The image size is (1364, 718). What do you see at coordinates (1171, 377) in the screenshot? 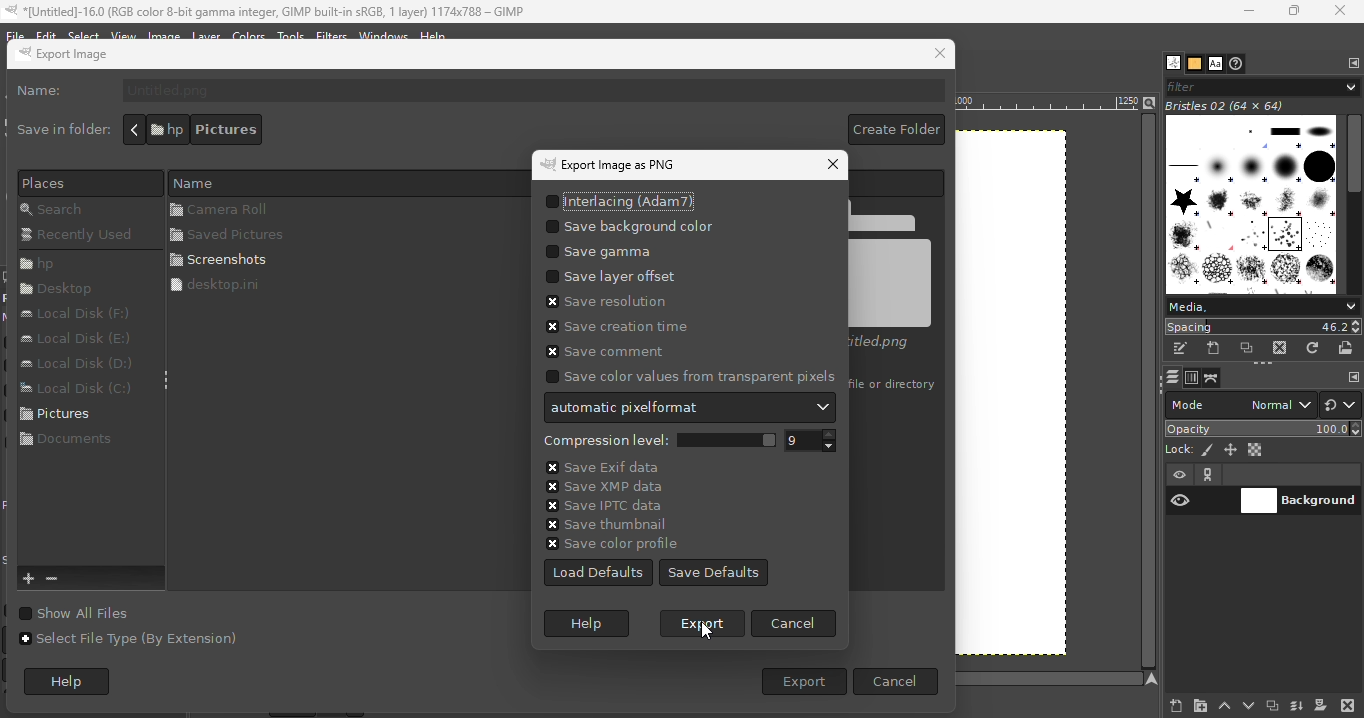
I see `Layers` at bounding box center [1171, 377].